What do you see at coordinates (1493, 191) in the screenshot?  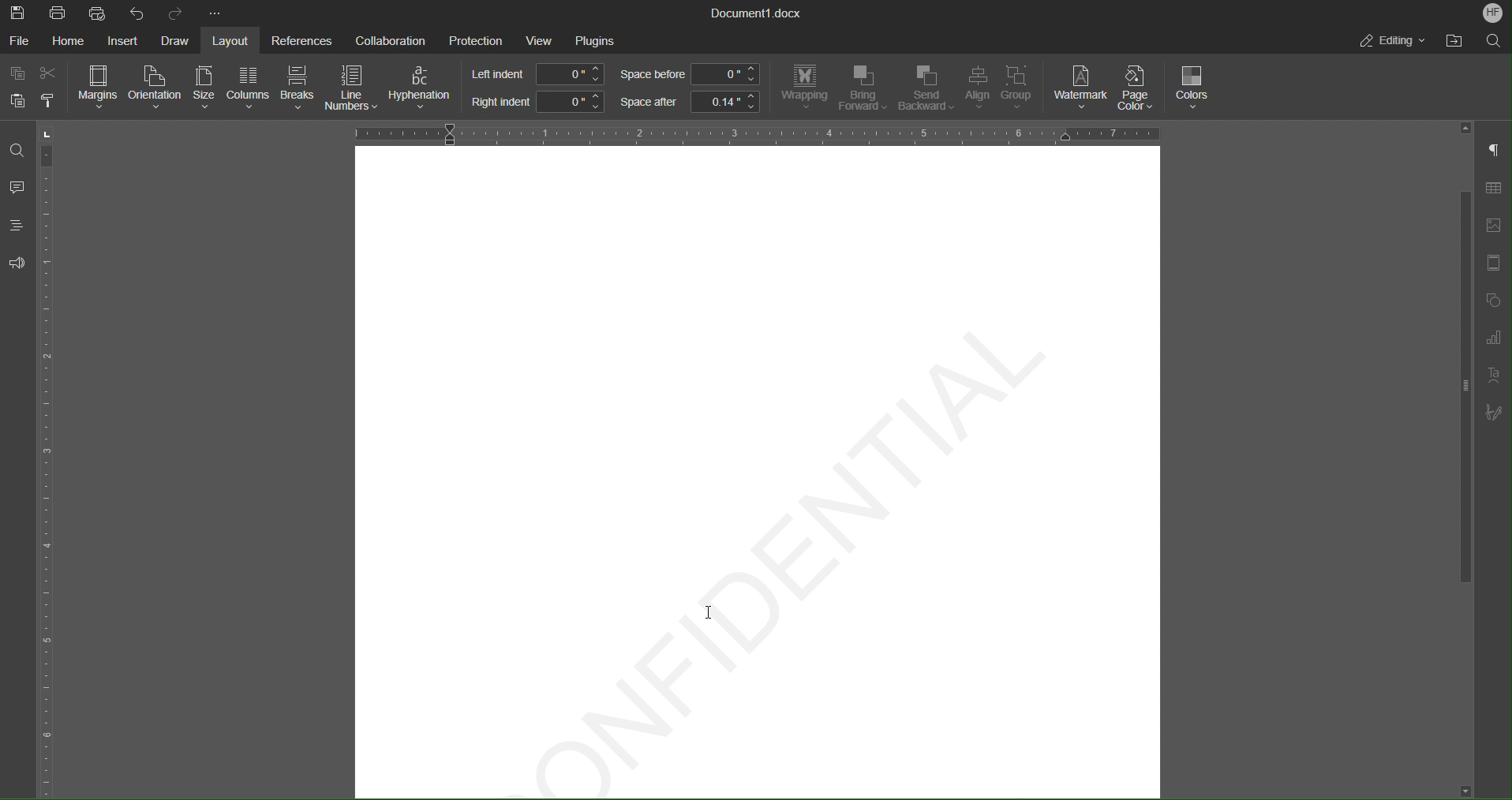 I see `Table` at bounding box center [1493, 191].